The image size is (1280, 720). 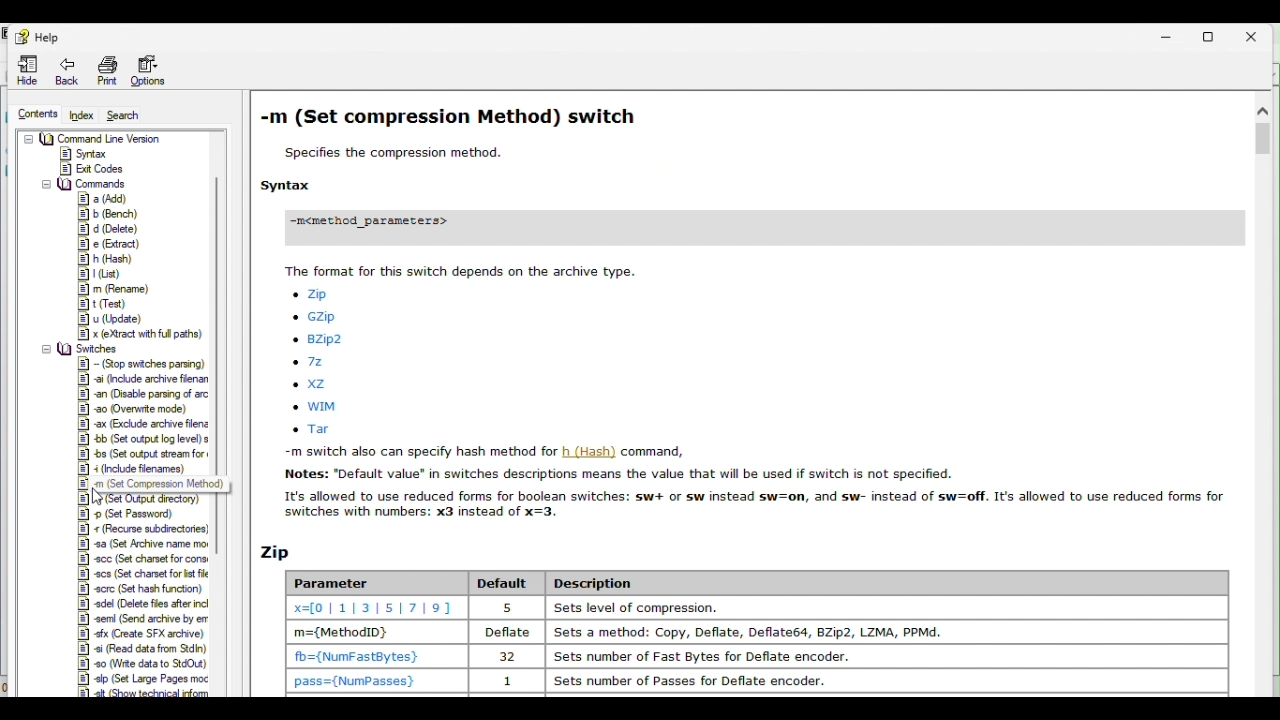 I want to click on rename, so click(x=112, y=290).